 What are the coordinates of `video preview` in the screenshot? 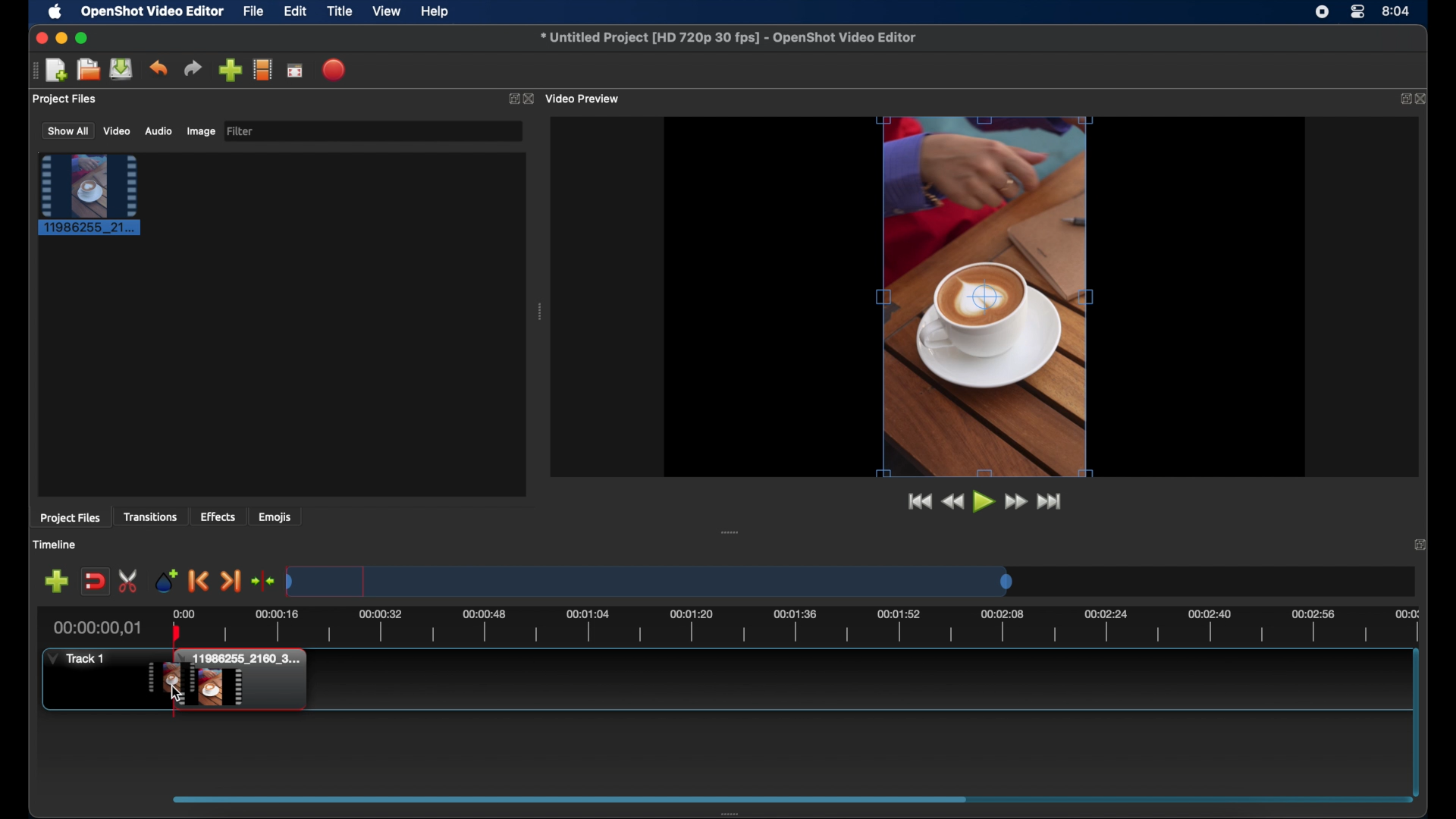 It's located at (585, 98).